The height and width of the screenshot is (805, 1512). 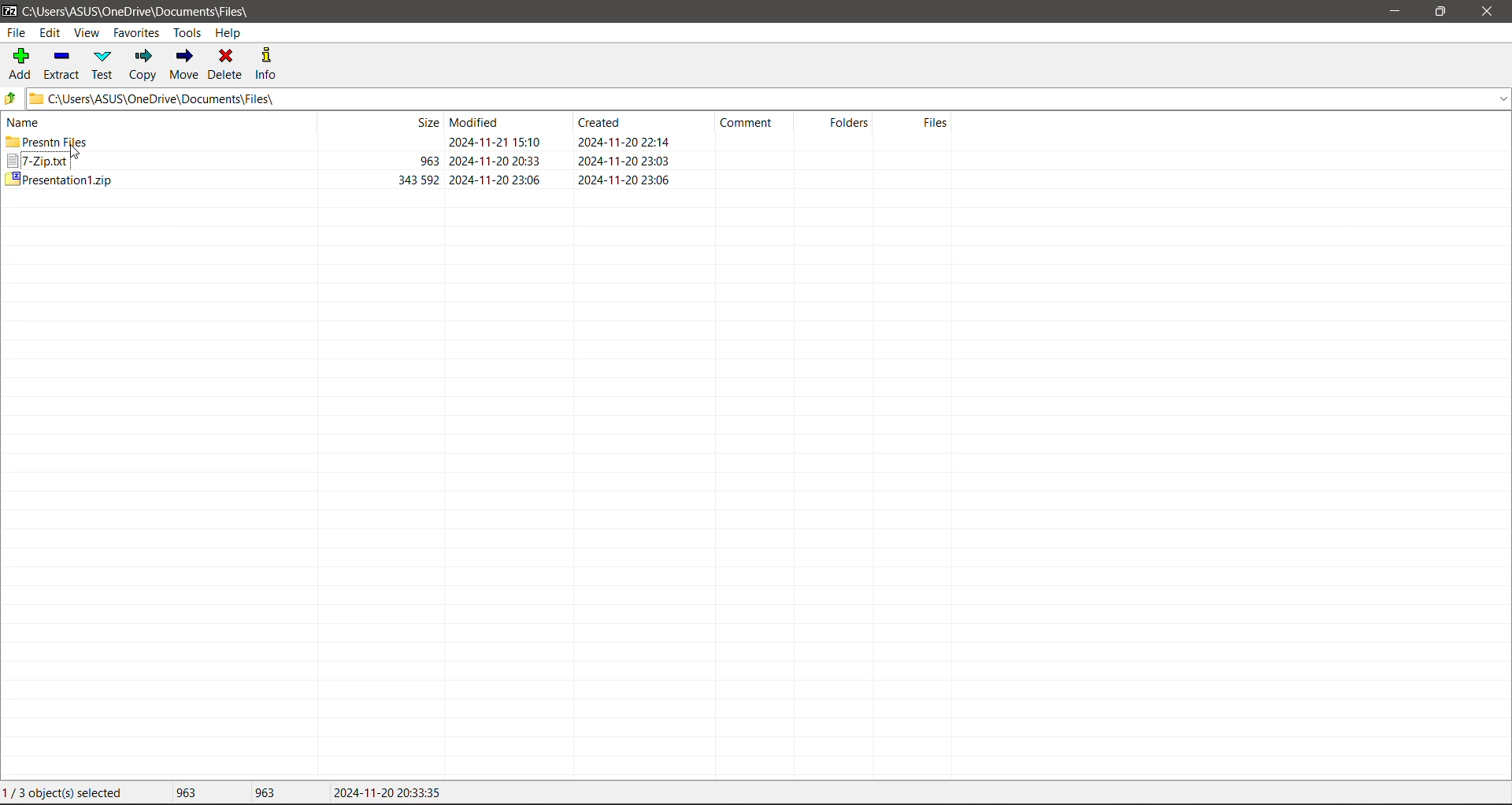 What do you see at coordinates (748, 121) in the screenshot?
I see `Comment` at bounding box center [748, 121].